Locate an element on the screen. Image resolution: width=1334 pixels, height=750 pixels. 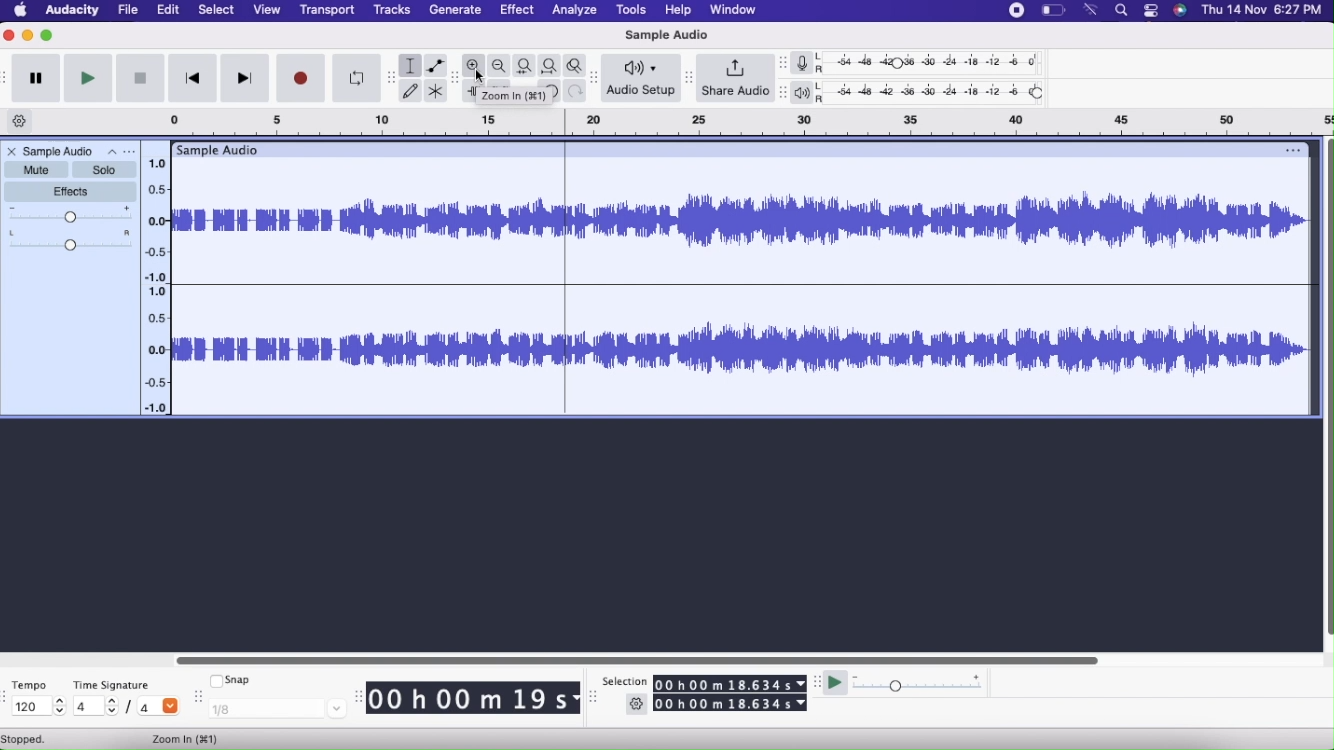
Selection is located at coordinates (626, 679).